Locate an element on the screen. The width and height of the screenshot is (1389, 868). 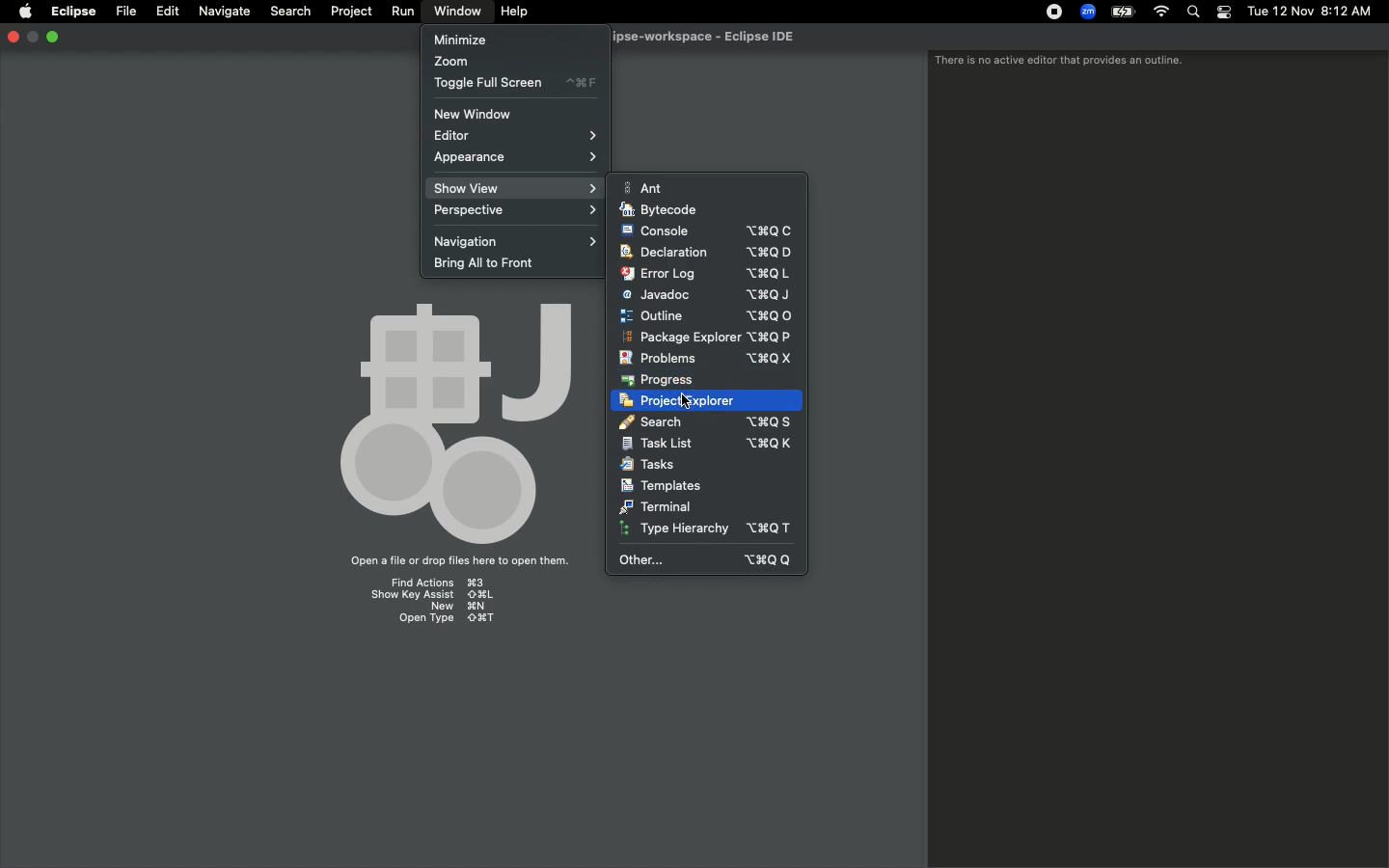
Type hierarchy is located at coordinates (709, 529).